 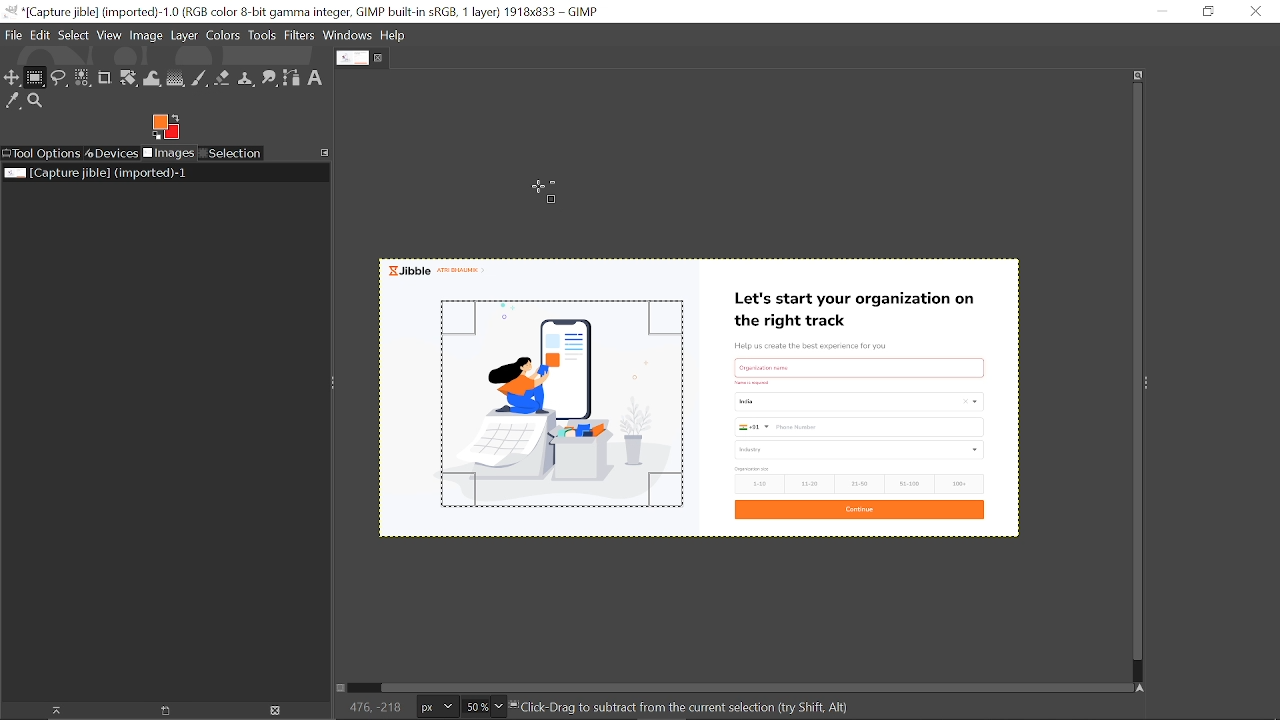 I want to click on 21-50, so click(x=860, y=483).